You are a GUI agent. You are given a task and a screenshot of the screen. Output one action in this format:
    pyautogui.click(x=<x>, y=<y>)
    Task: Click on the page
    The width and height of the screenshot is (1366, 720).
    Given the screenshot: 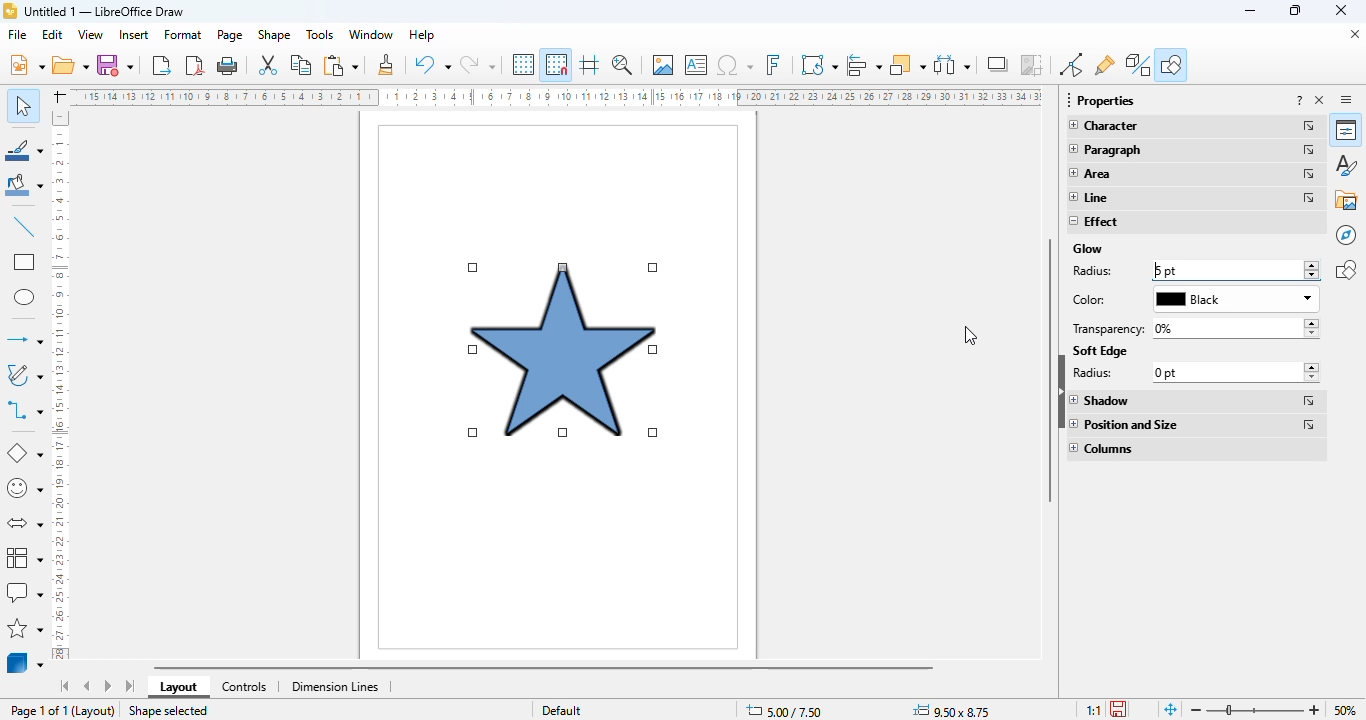 What is the action you would take?
    pyautogui.click(x=231, y=34)
    